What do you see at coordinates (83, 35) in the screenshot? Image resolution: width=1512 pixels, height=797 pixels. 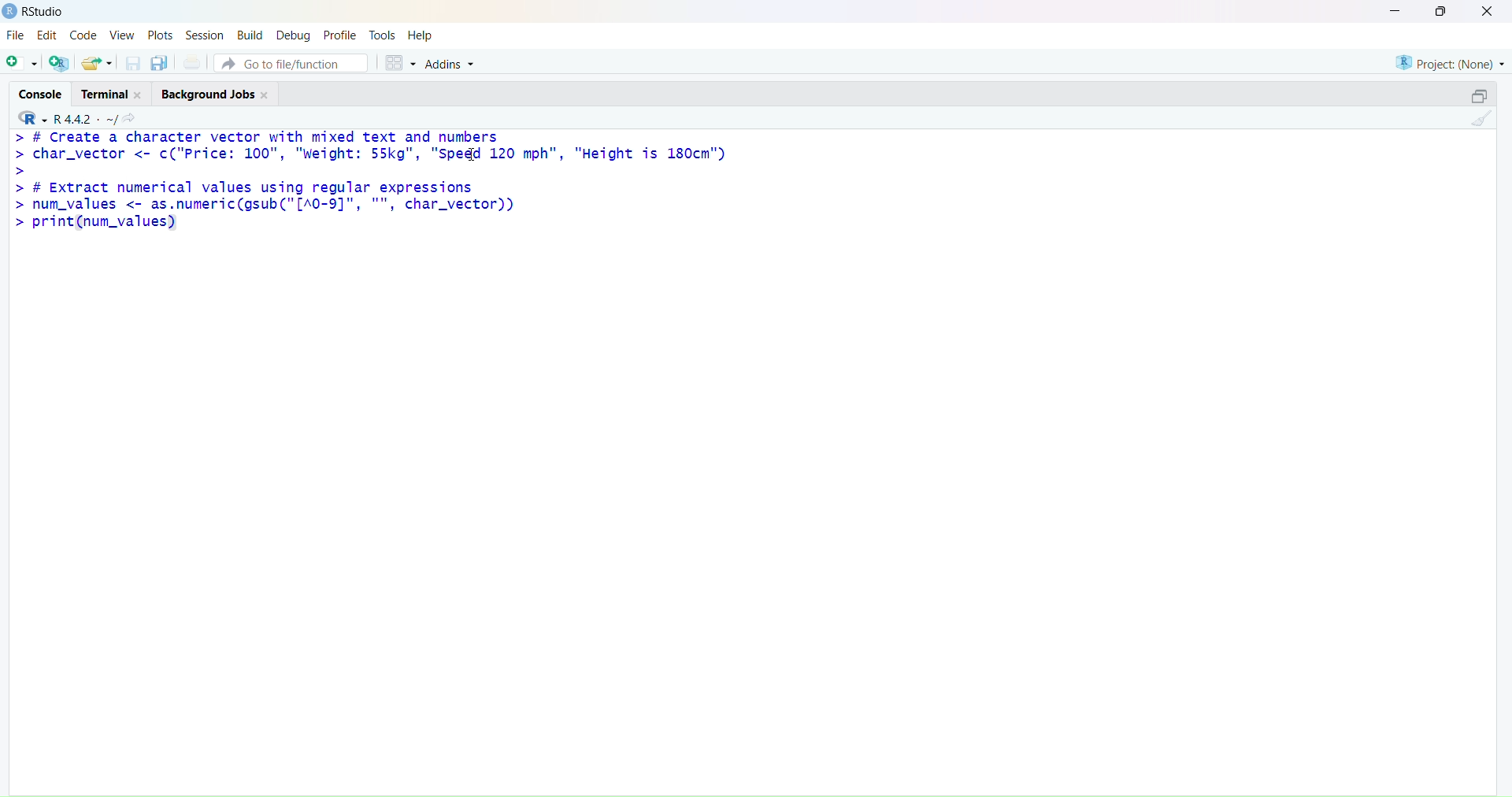 I see `code` at bounding box center [83, 35].